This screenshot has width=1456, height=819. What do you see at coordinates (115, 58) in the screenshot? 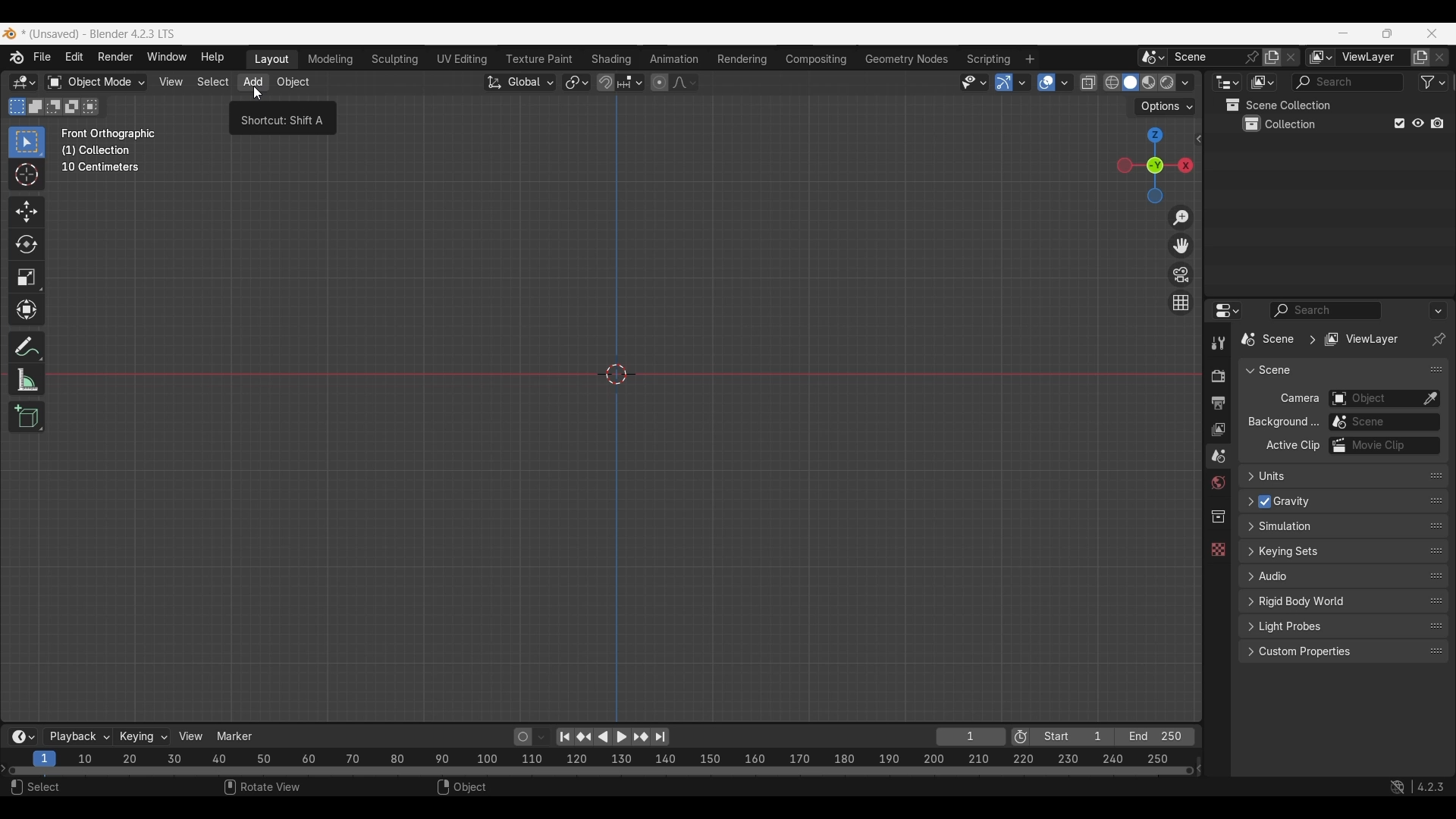
I see `Render menu` at bounding box center [115, 58].